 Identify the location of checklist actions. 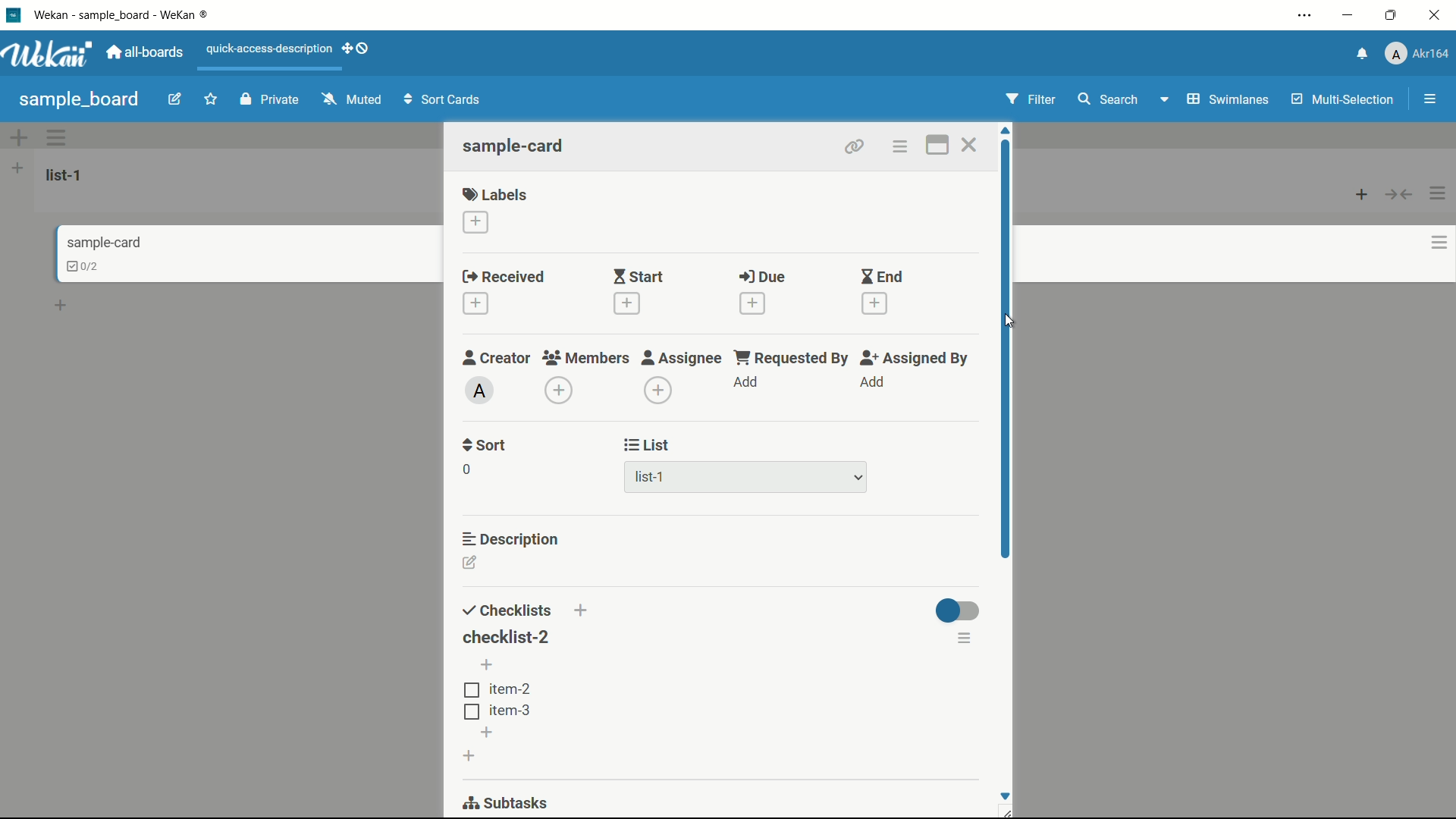
(966, 641).